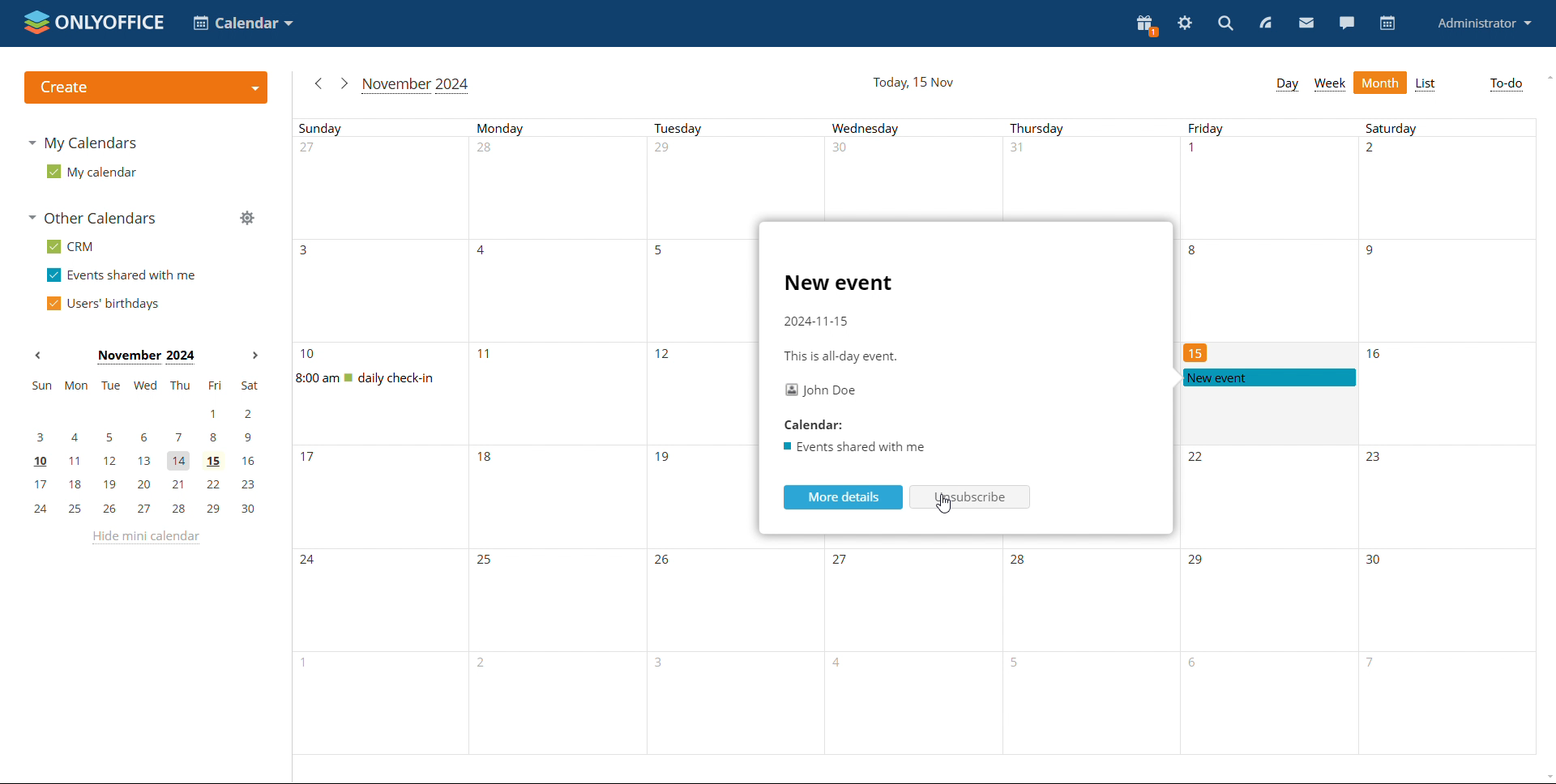  What do you see at coordinates (913, 83) in the screenshot?
I see `current date` at bounding box center [913, 83].